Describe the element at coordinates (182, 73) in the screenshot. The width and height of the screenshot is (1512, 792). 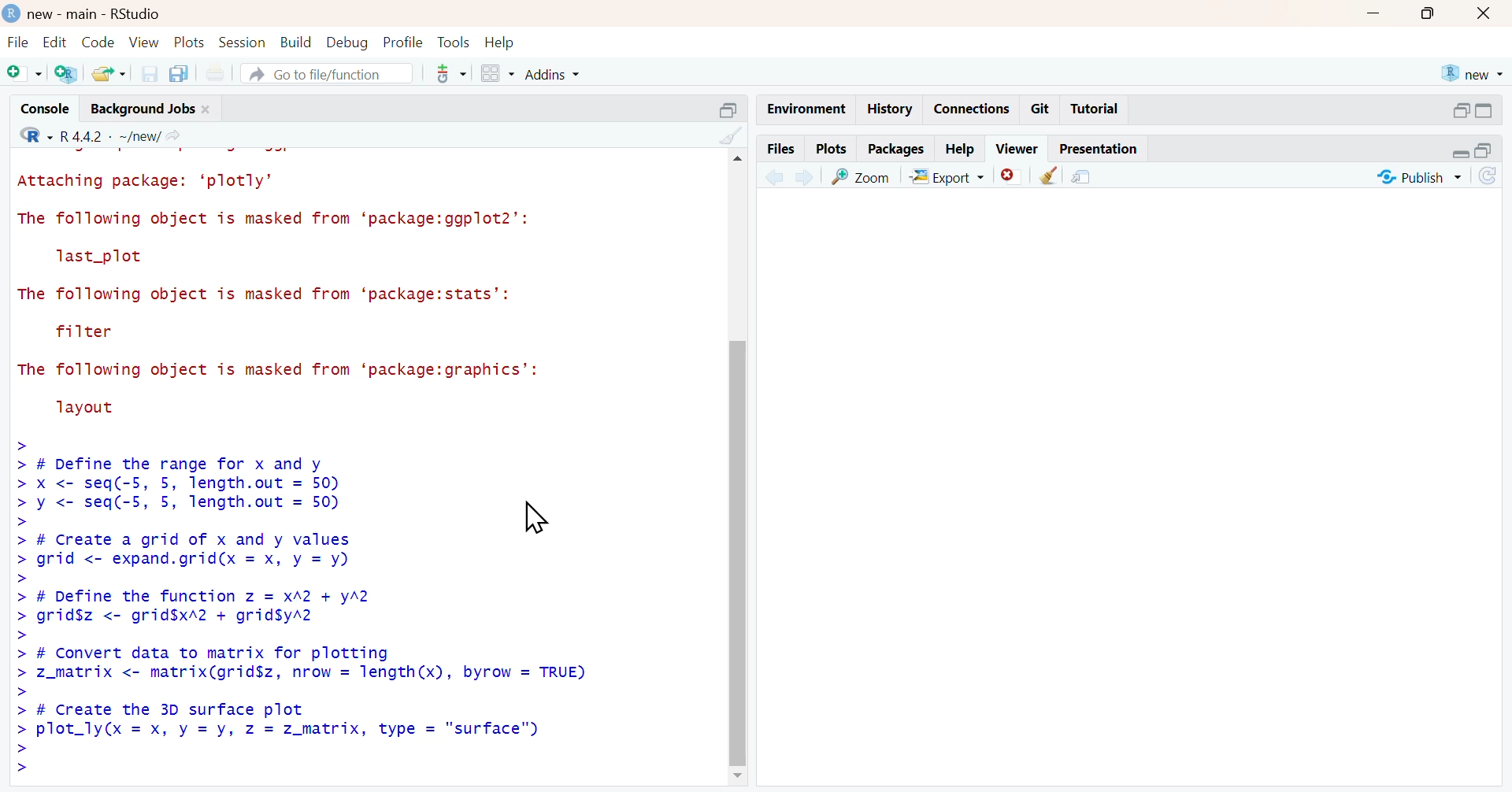
I see `save all open documents` at that location.